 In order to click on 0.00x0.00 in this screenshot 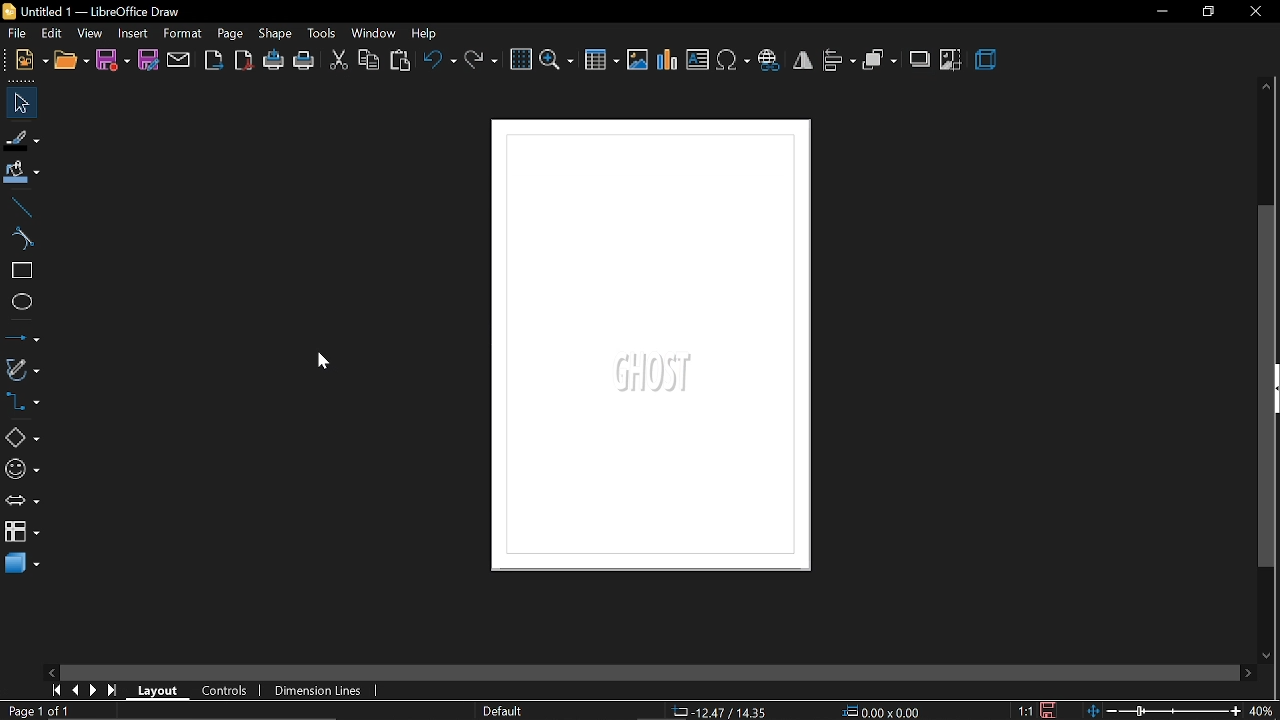, I will do `click(886, 712)`.